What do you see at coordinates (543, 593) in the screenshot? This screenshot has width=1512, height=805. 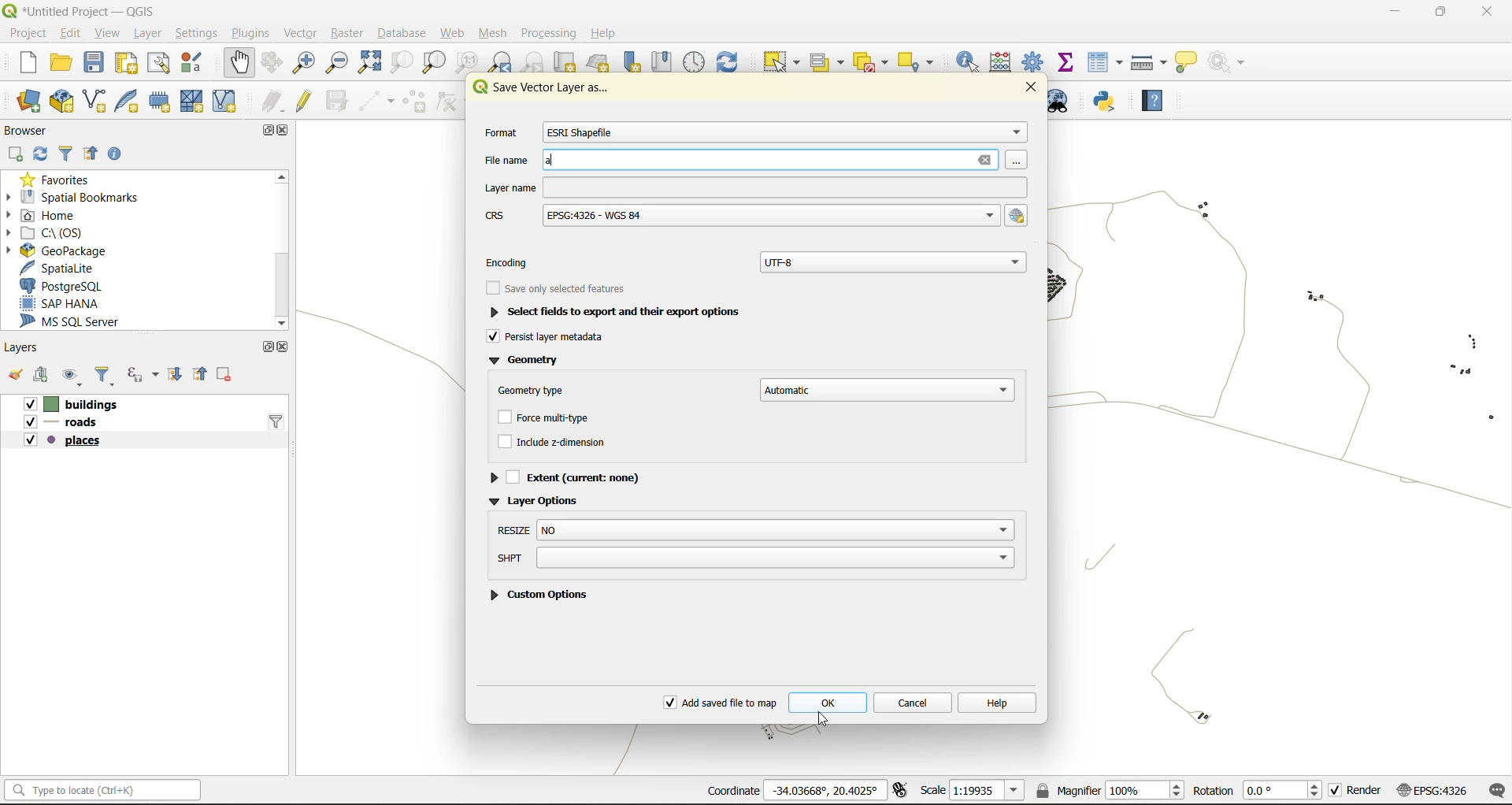 I see `custom options` at bounding box center [543, 593].